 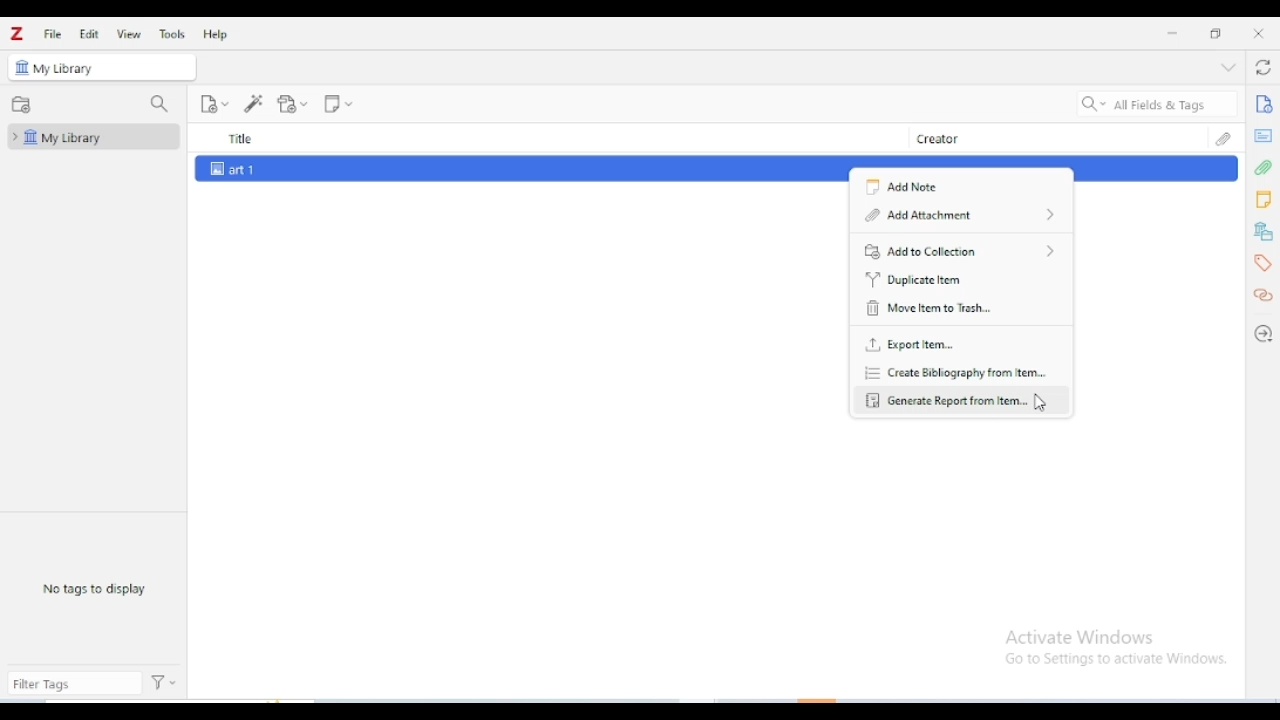 I want to click on attachments, so click(x=1223, y=138).